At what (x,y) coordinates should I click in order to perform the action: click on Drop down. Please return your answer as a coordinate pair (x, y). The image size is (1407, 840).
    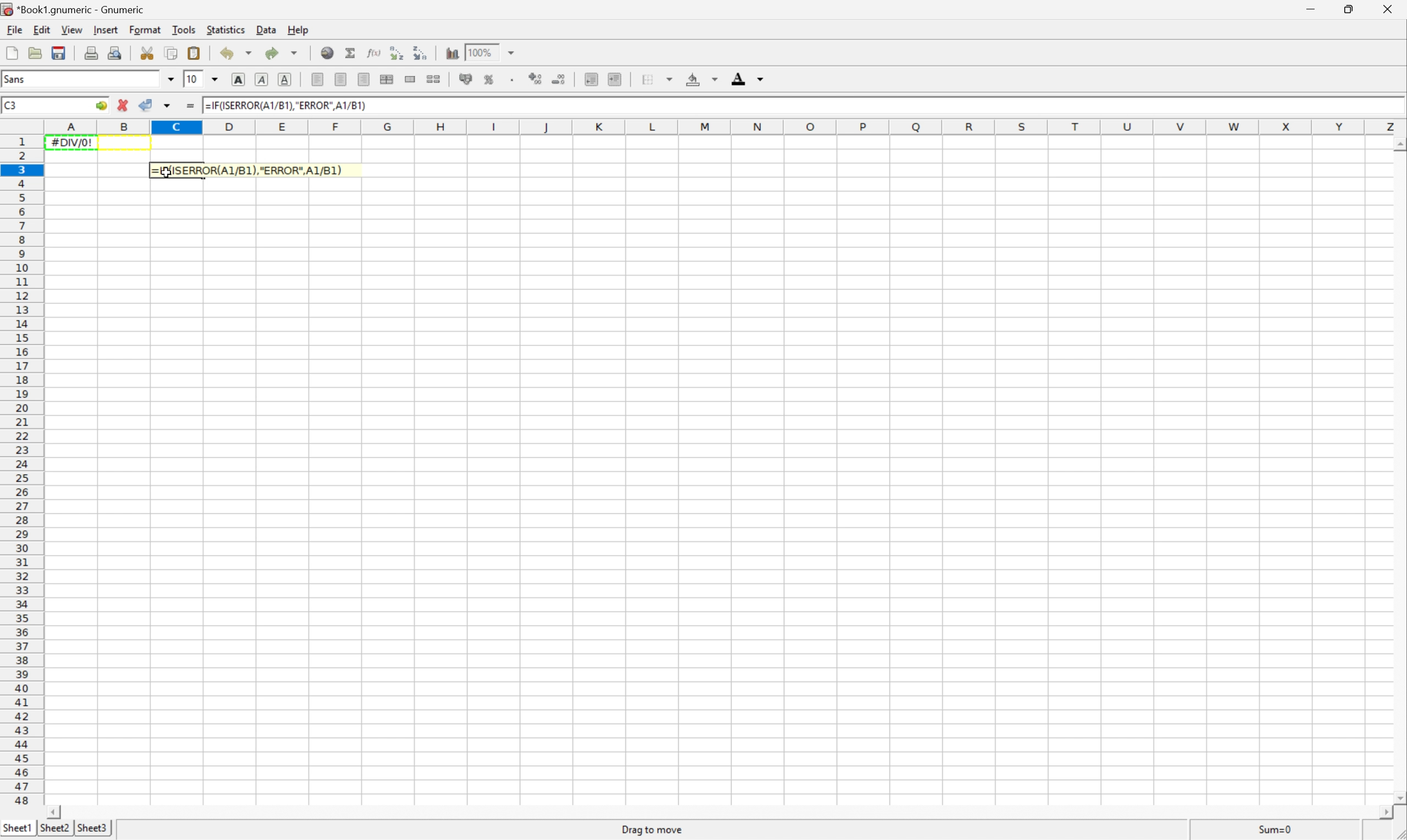
    Looking at the image, I should click on (297, 53).